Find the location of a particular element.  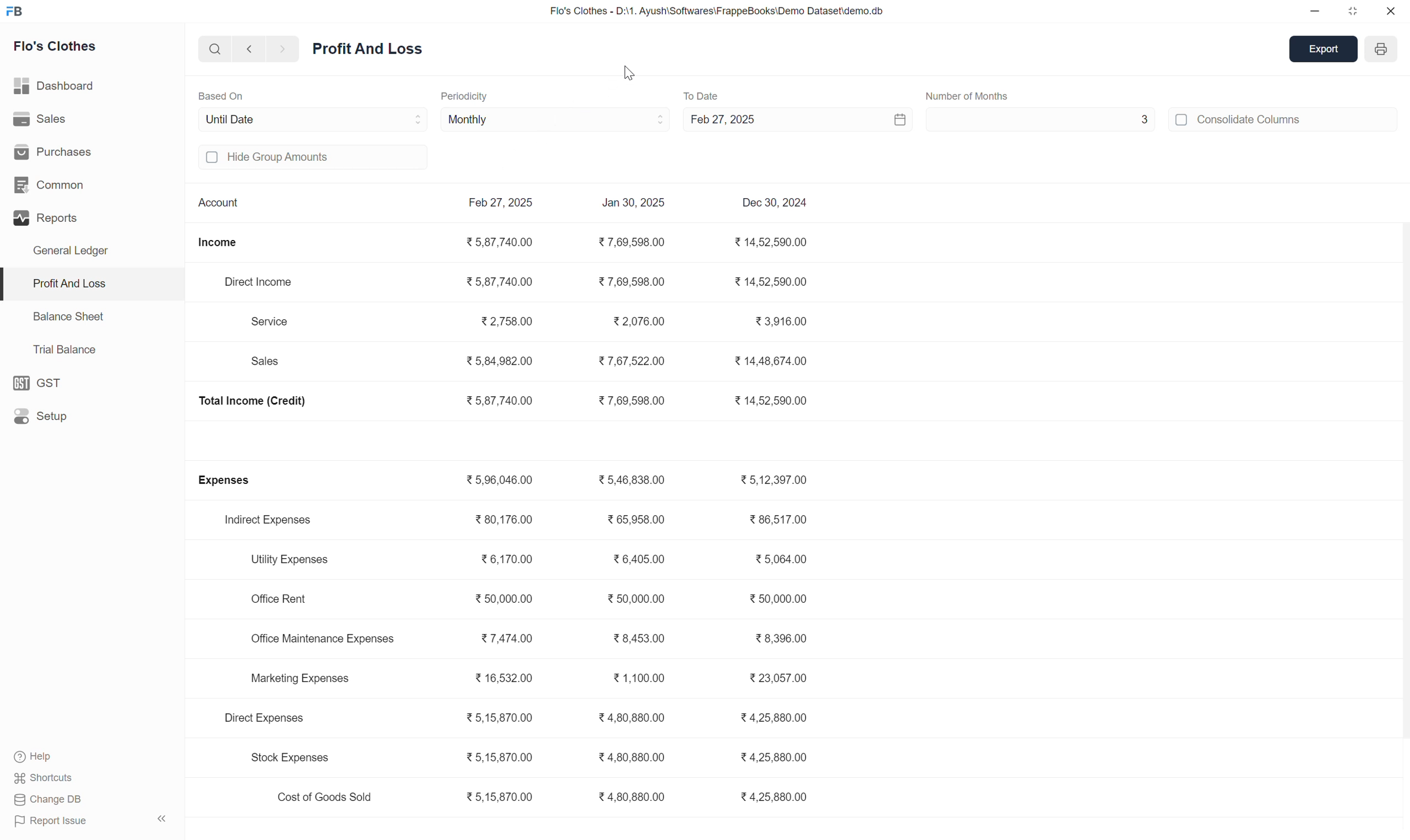

Report Issue is located at coordinates (92, 822).